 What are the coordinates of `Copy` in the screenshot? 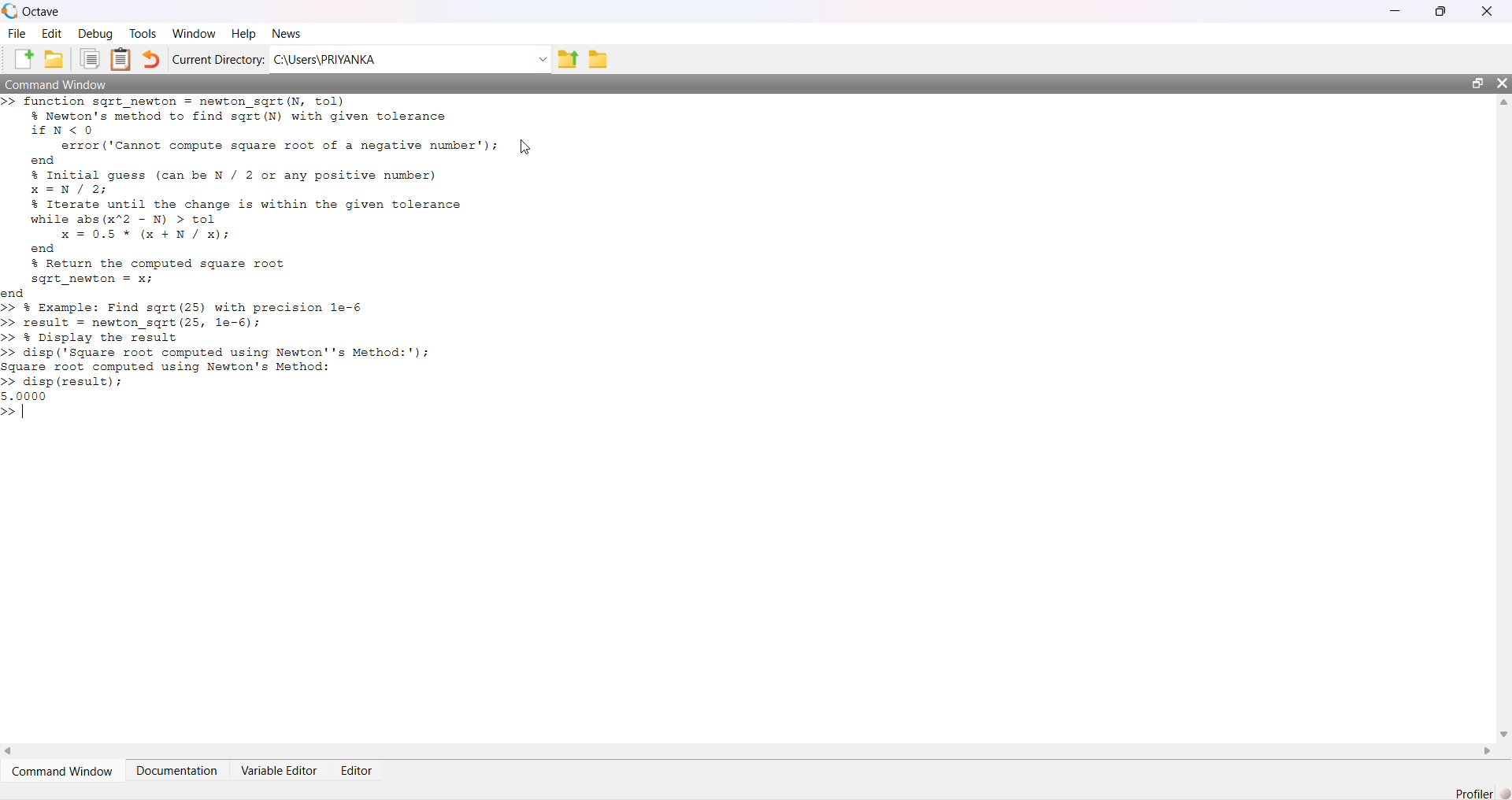 It's located at (91, 61).